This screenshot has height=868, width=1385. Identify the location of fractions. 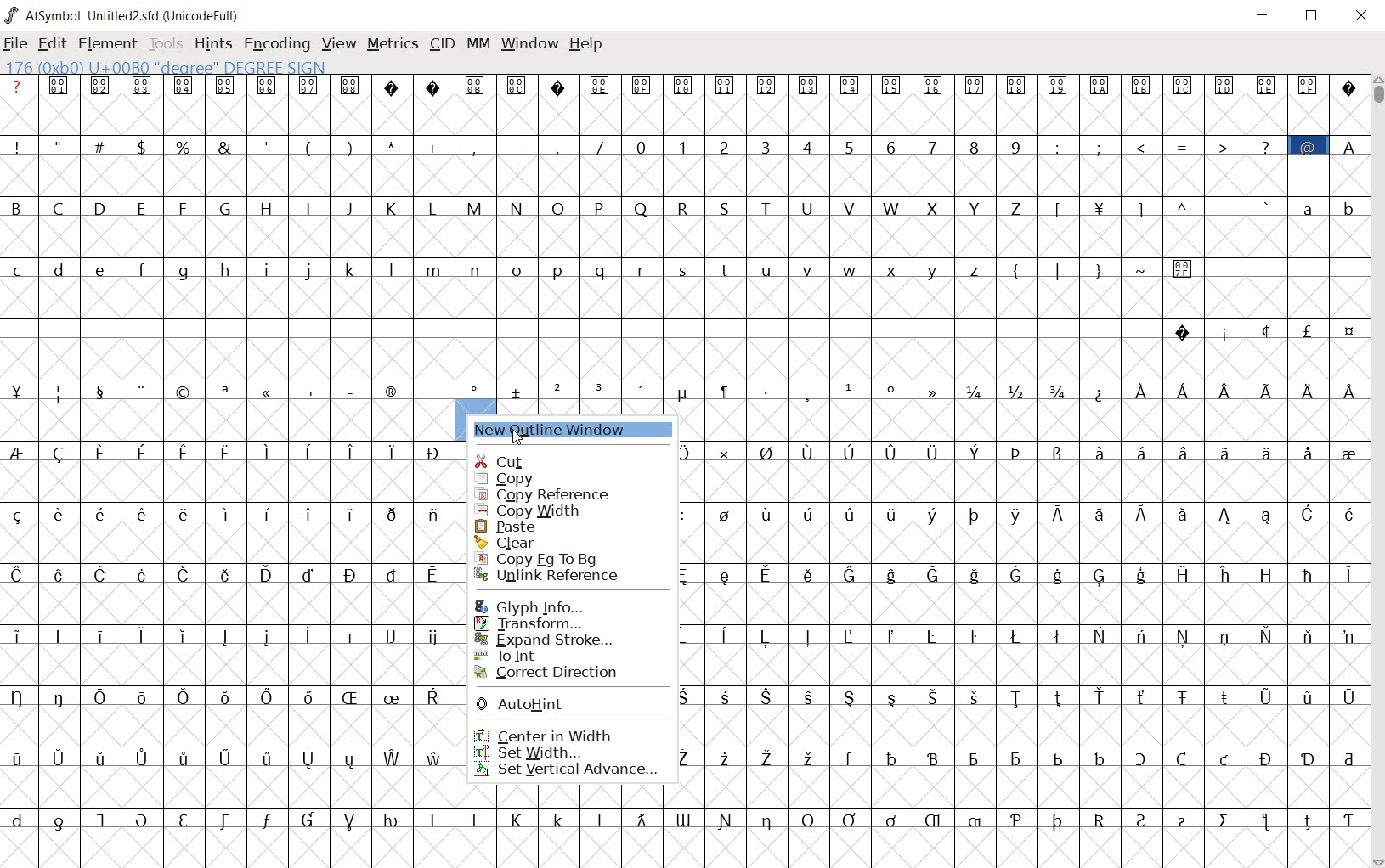
(1025, 389).